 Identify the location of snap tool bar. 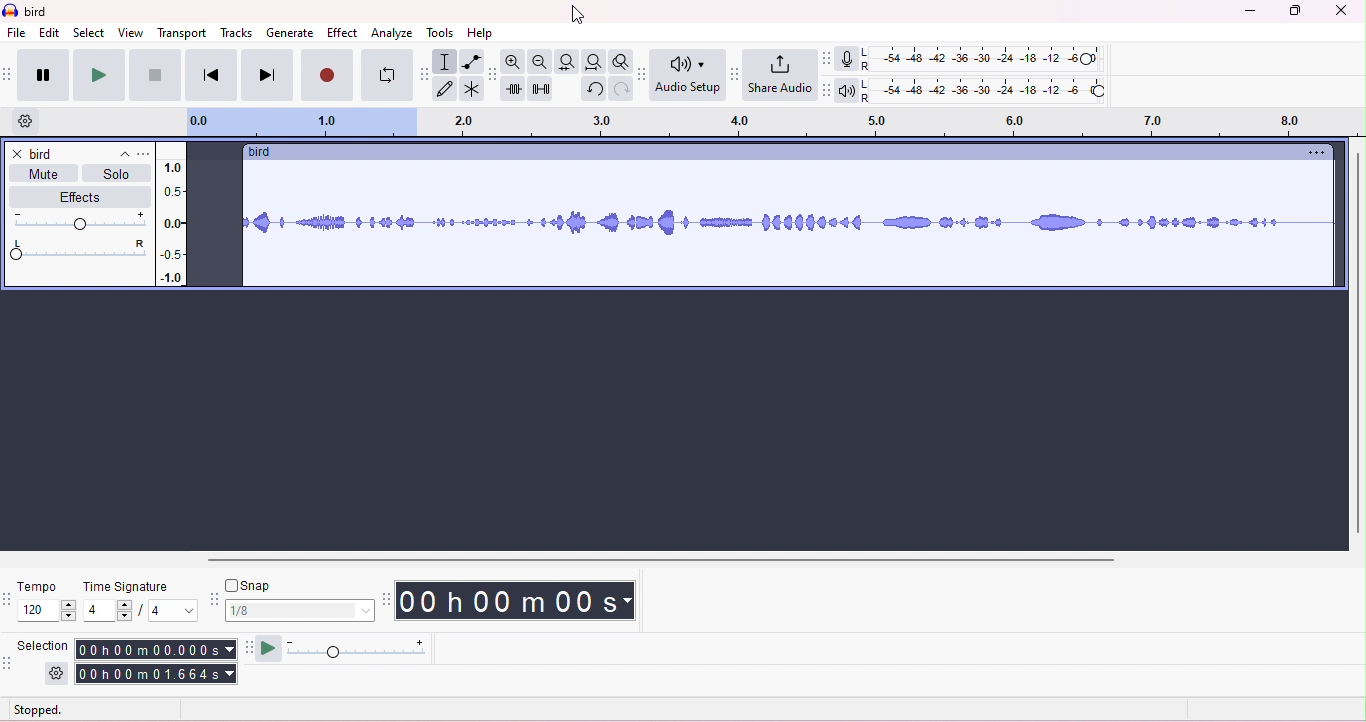
(213, 597).